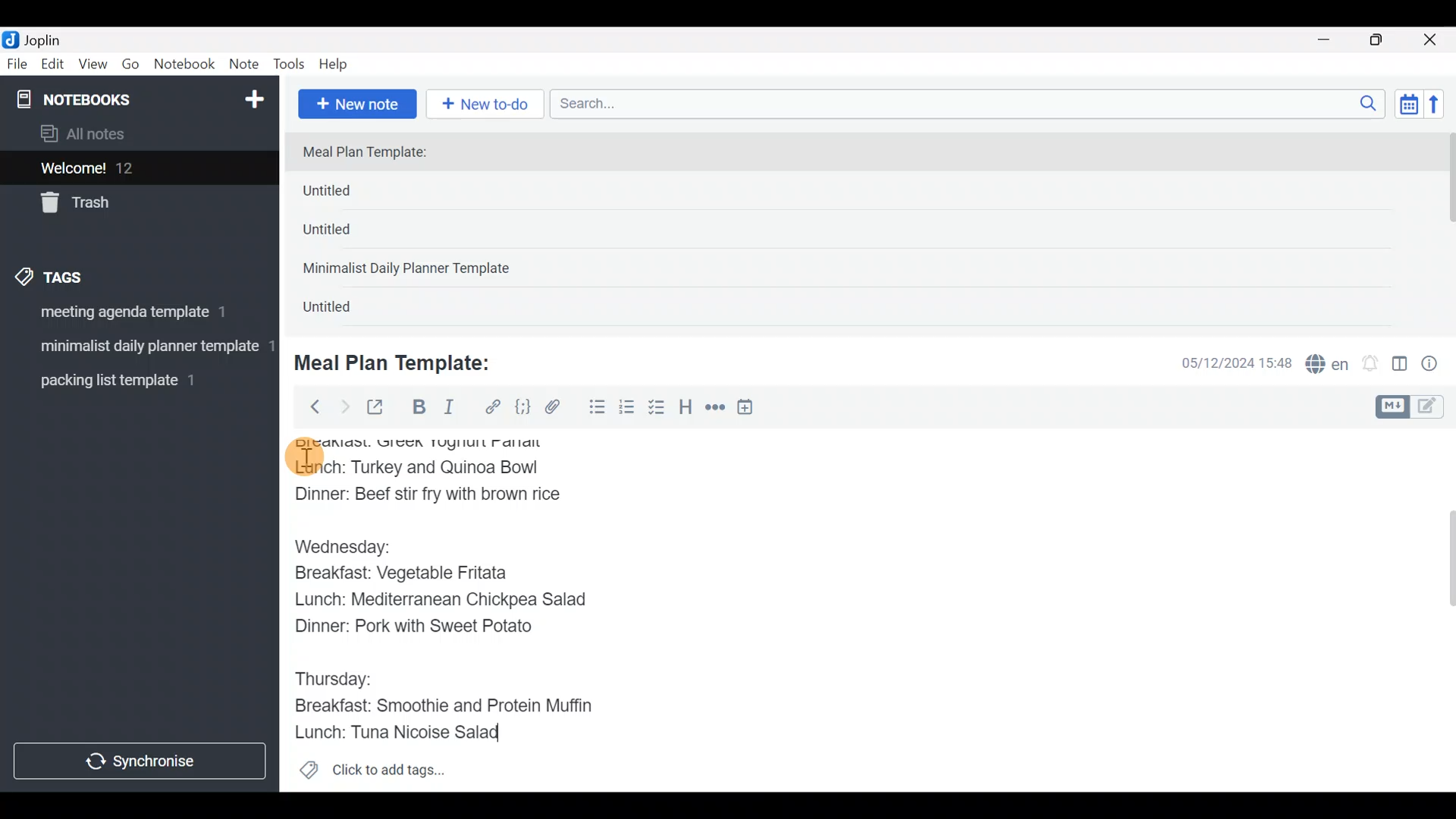 The image size is (1456, 819). I want to click on Note, so click(247, 65).